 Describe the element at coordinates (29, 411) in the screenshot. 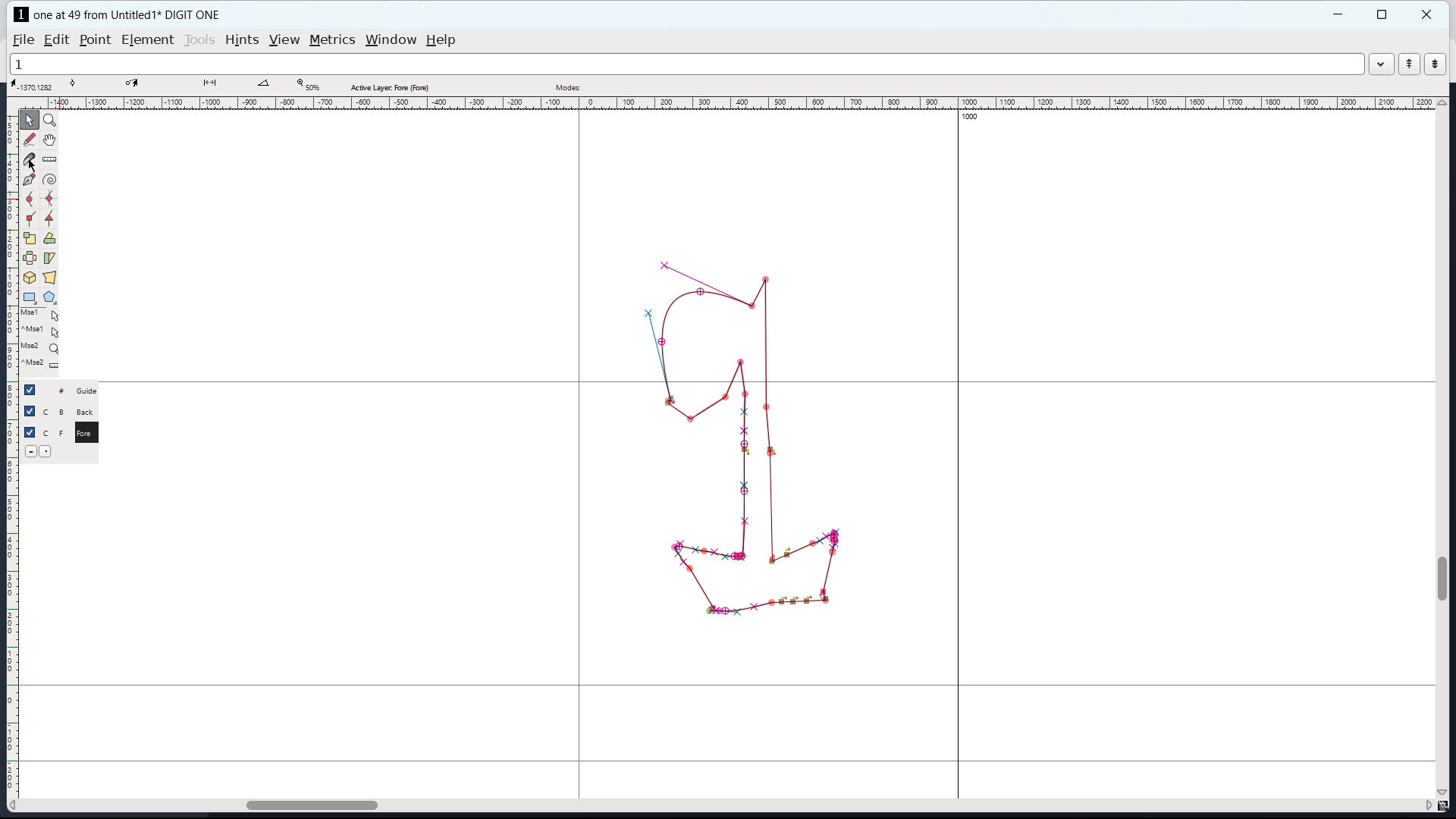

I see `is layer visible` at that location.